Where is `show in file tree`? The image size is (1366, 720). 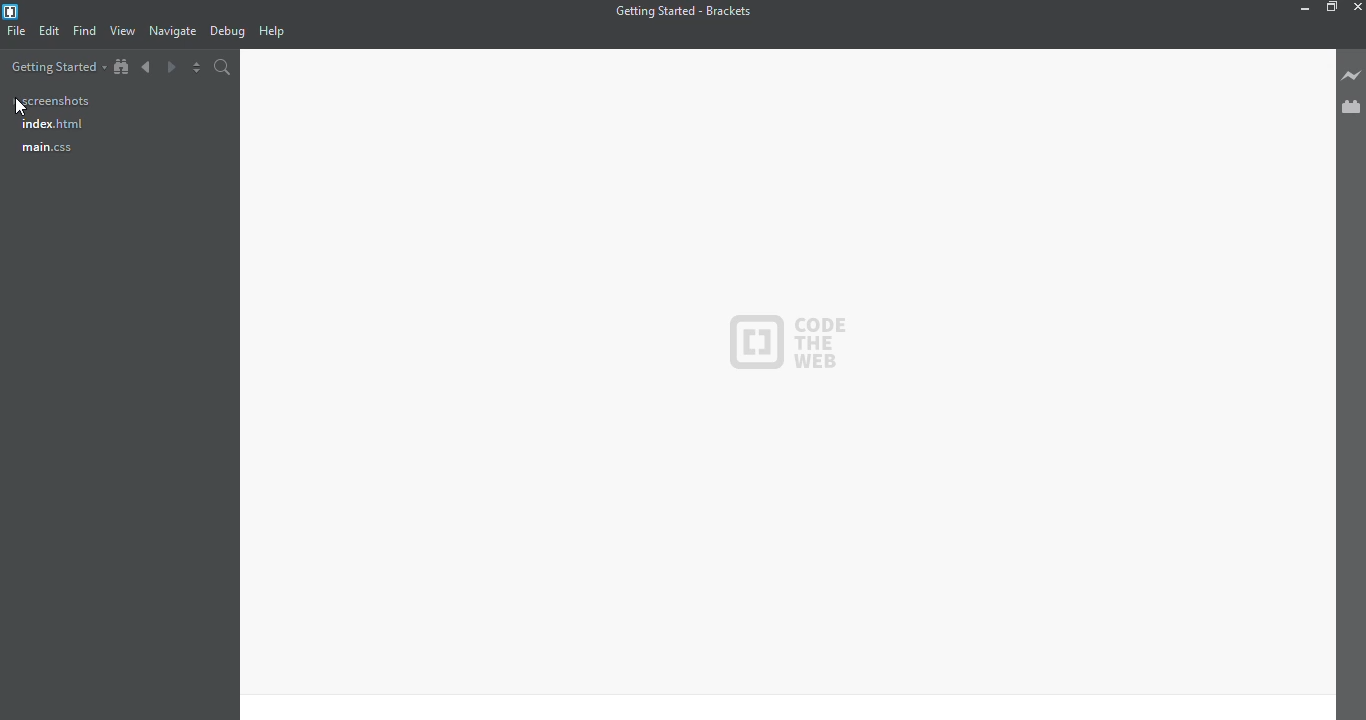 show in file tree is located at coordinates (122, 67).